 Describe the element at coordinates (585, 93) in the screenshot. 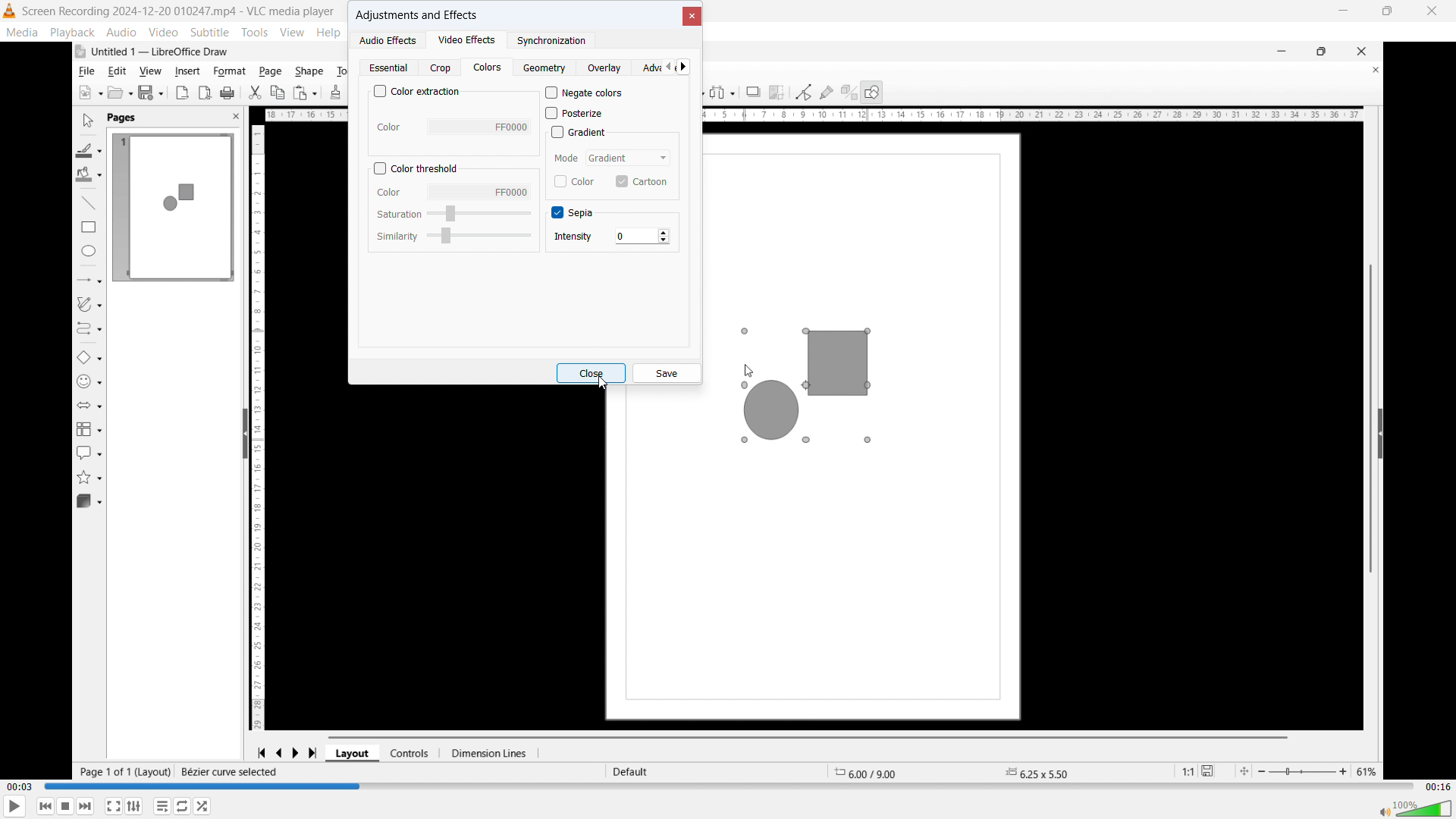

I see `Negate colours ` at that location.